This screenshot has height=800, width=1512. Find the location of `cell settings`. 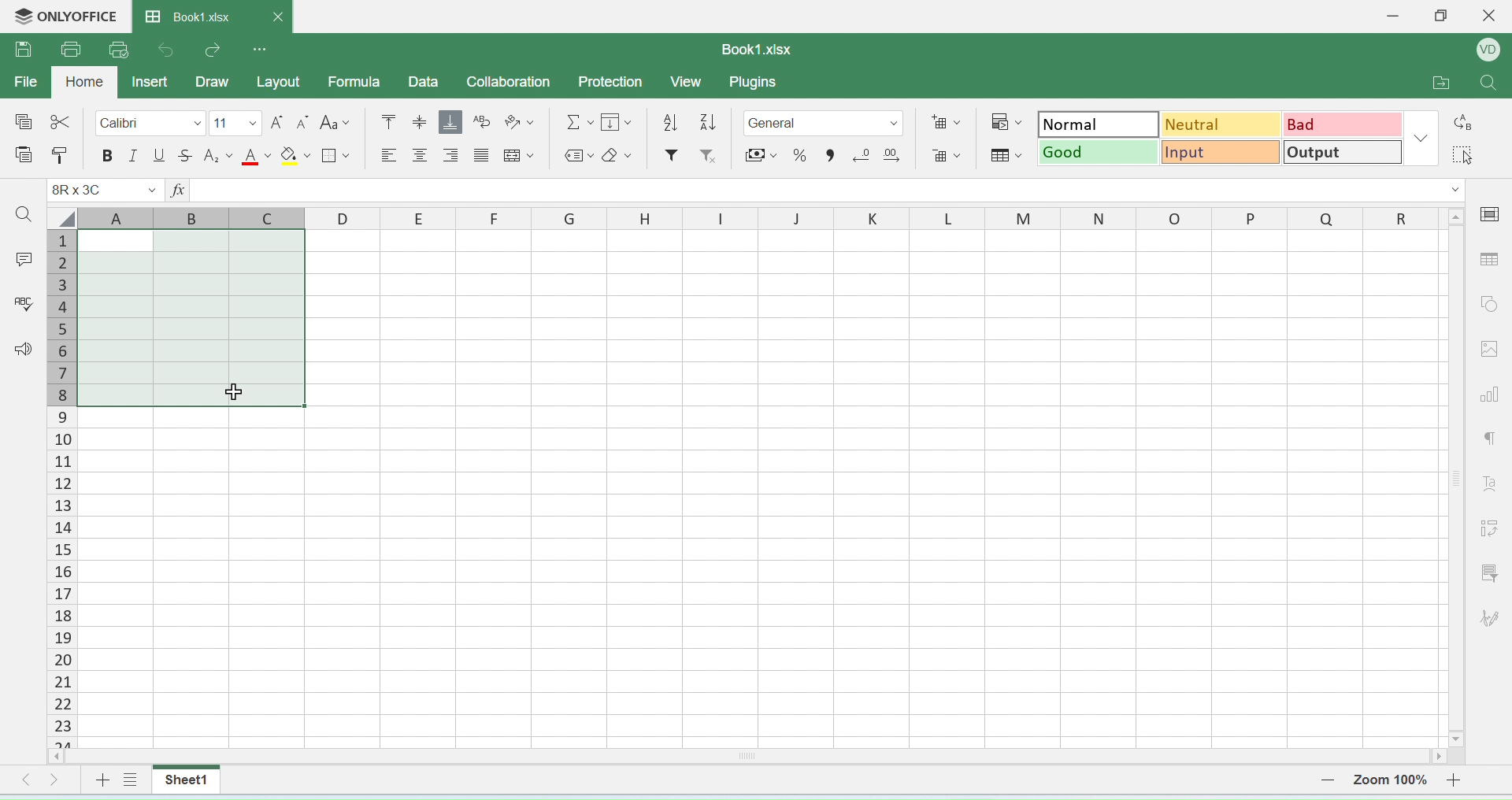

cell settings is located at coordinates (1493, 217).